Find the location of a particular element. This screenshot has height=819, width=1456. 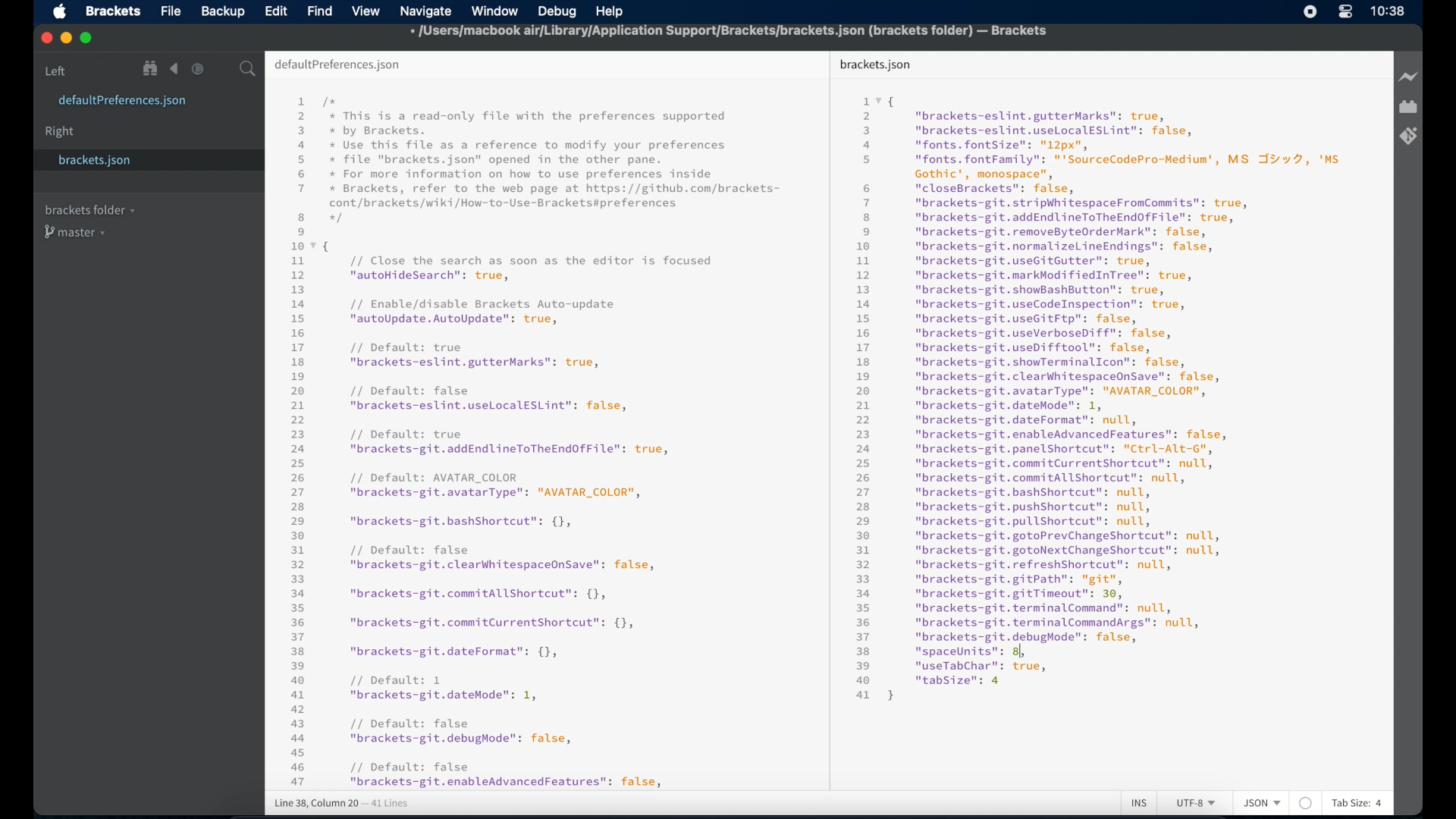

navigate is located at coordinates (425, 12).